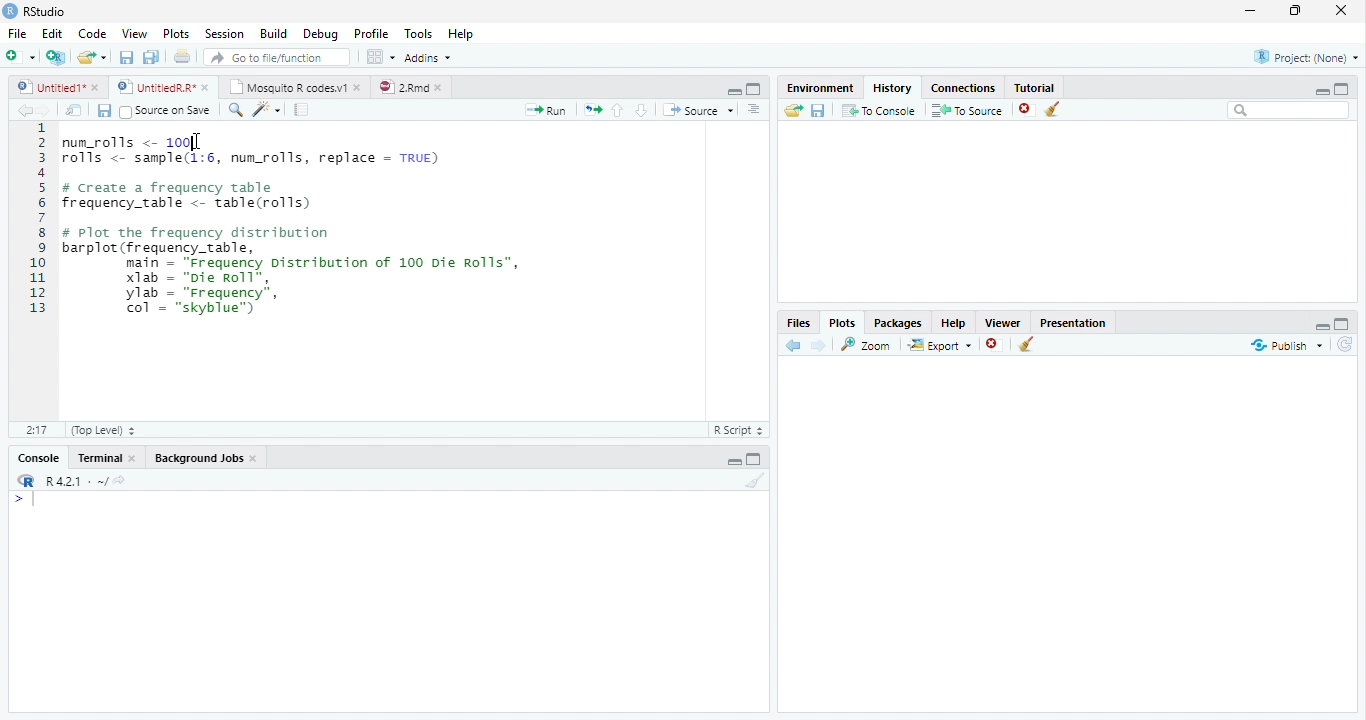 Image resolution: width=1366 pixels, height=720 pixels. I want to click on Compile Report, so click(303, 109).